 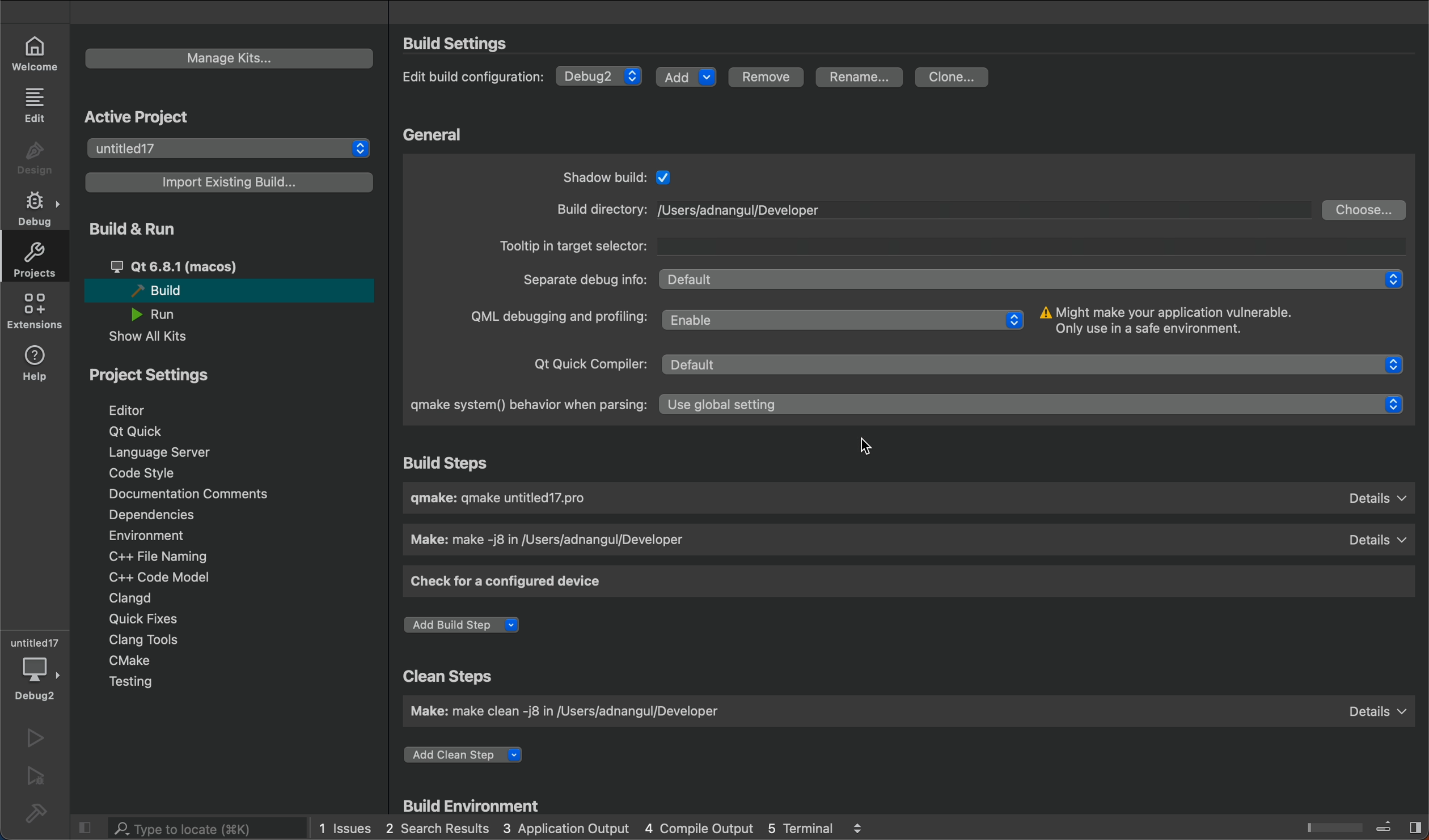 What do you see at coordinates (141, 598) in the screenshot?
I see `clangd` at bounding box center [141, 598].